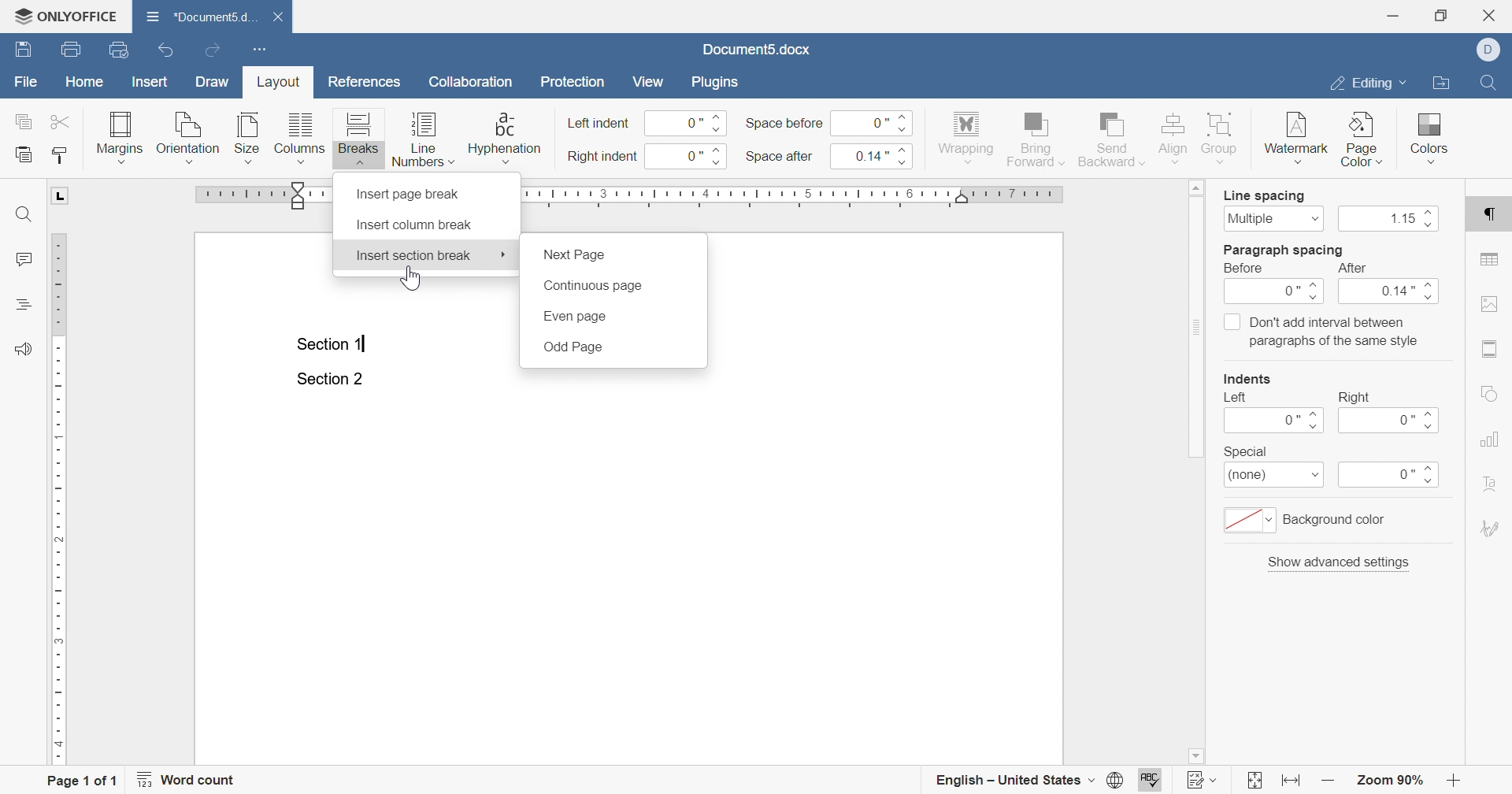 This screenshot has height=794, width=1512. Describe the element at coordinates (1392, 293) in the screenshot. I see `0.14` at that location.